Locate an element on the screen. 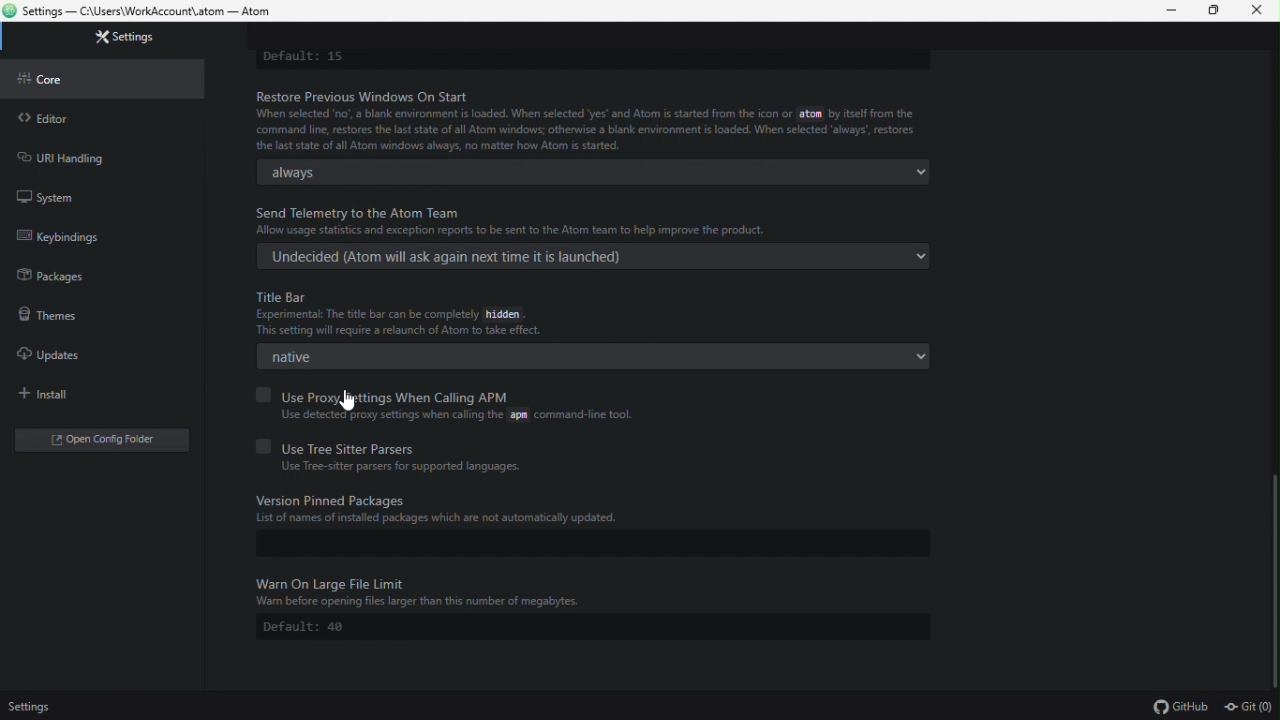  Themes is located at coordinates (96, 313).